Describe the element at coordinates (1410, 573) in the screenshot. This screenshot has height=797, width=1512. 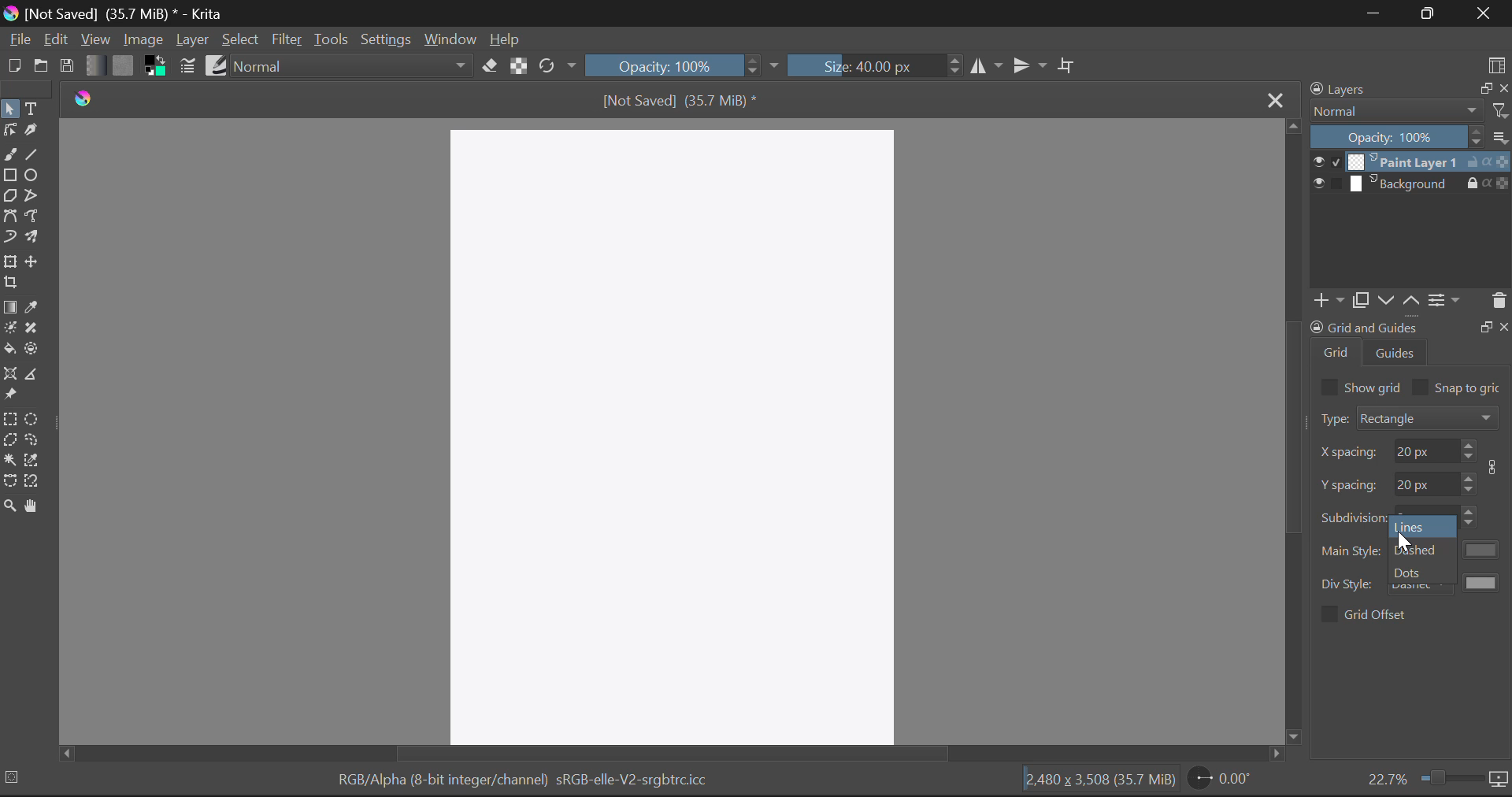
I see `dots` at that location.